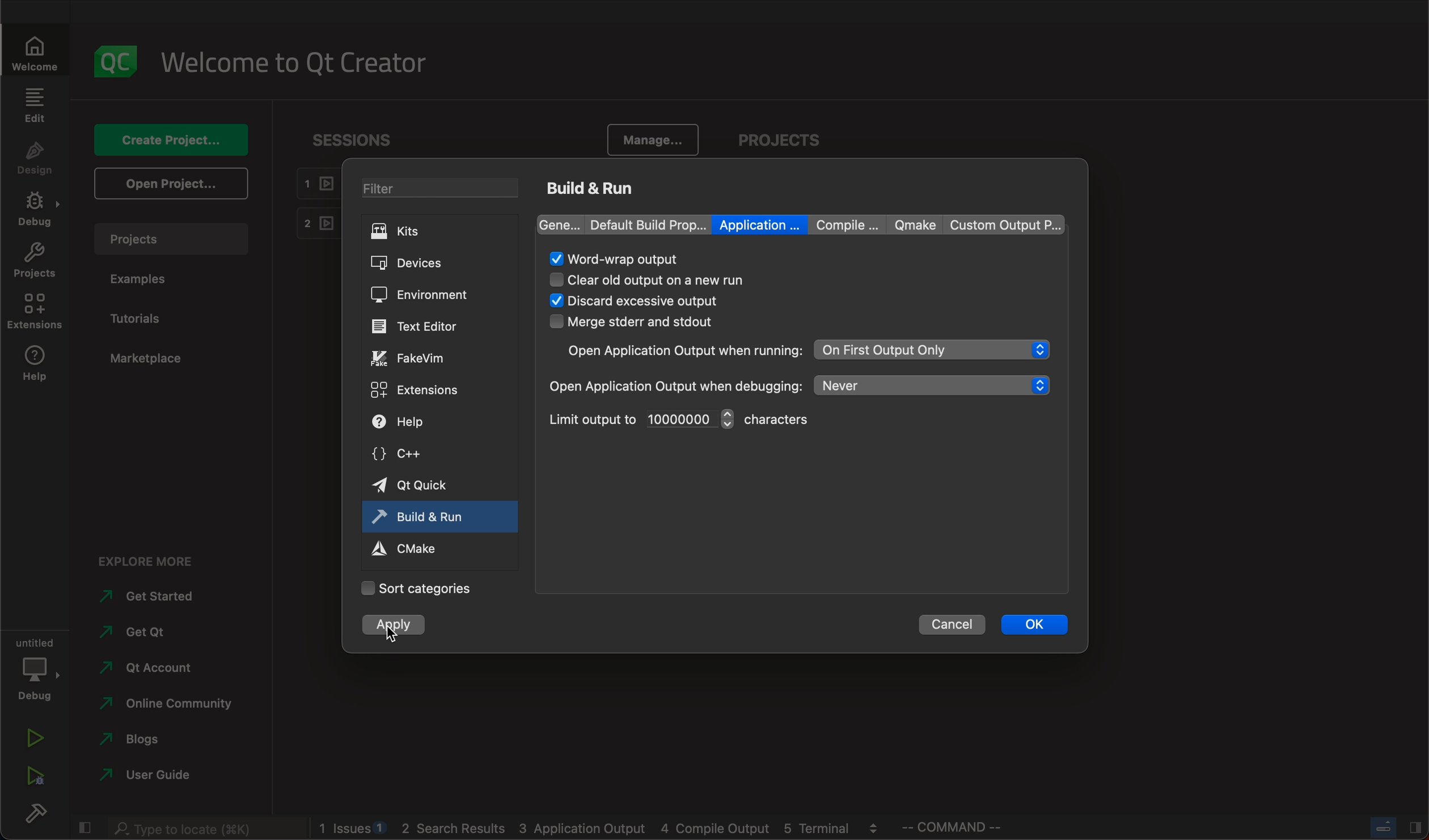  What do you see at coordinates (1394, 826) in the screenshot?
I see `close slide bar` at bounding box center [1394, 826].